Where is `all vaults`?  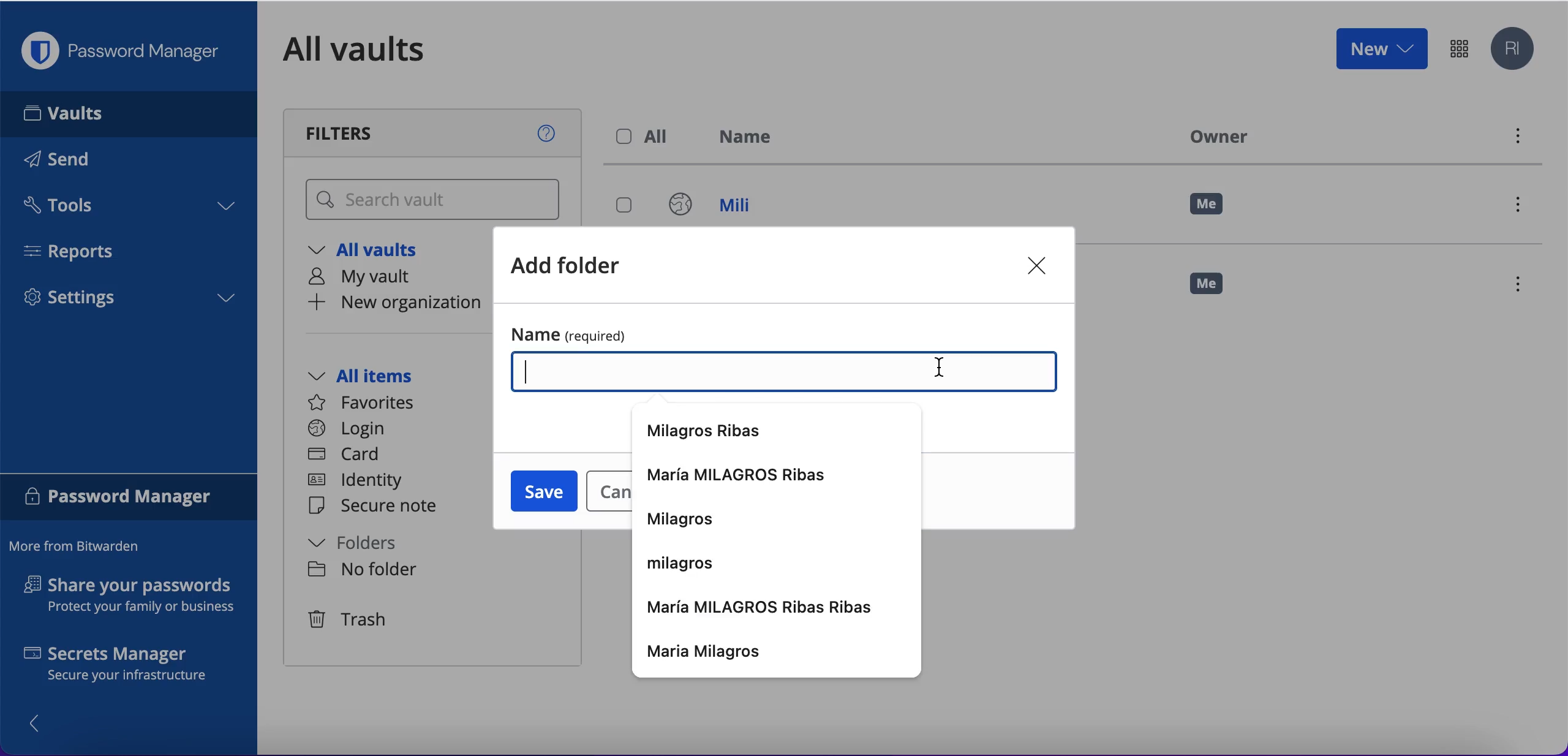 all vaults is located at coordinates (372, 252).